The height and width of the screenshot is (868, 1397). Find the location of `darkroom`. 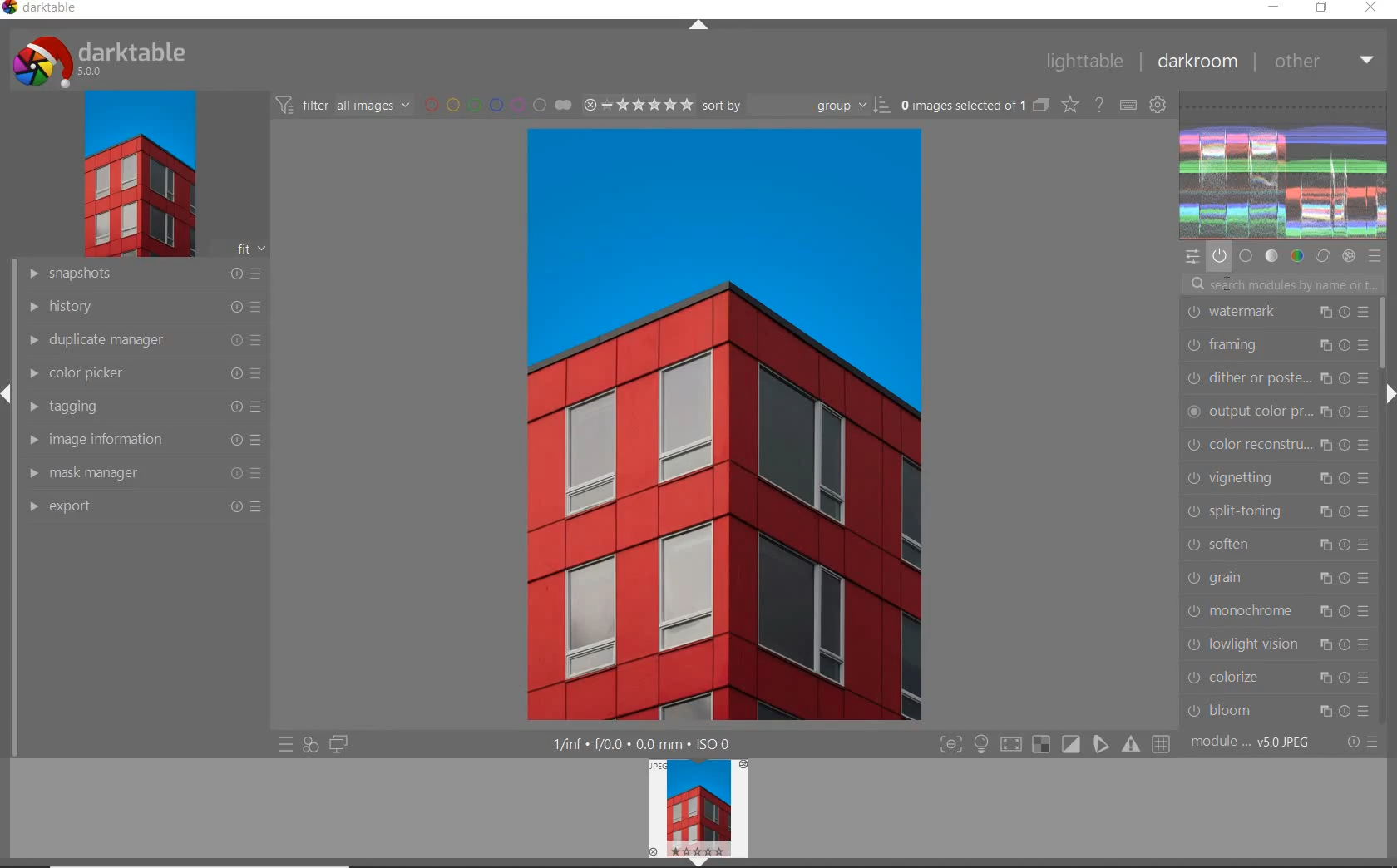

darkroom is located at coordinates (1197, 59).